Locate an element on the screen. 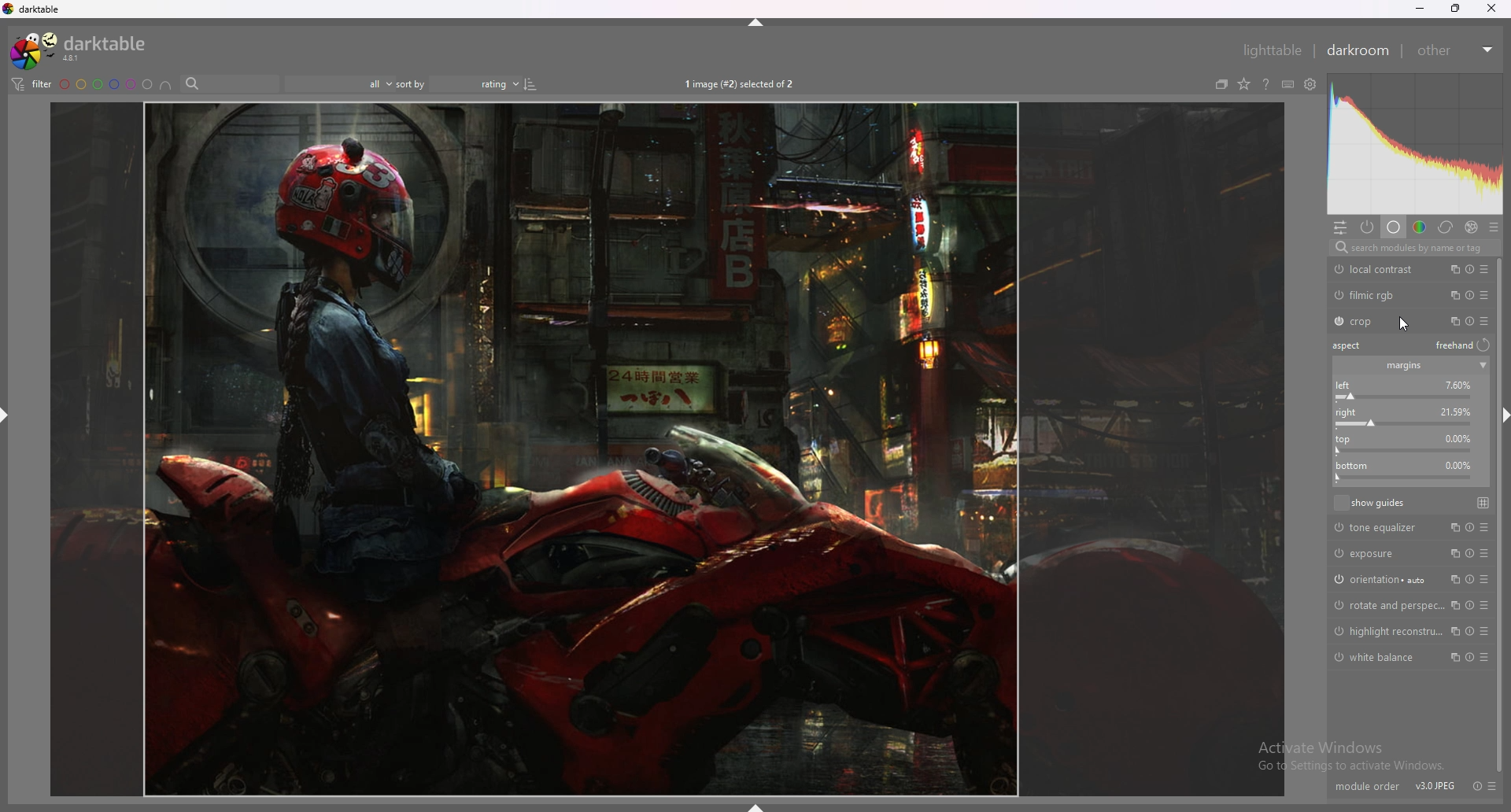  minimize is located at coordinates (1418, 9).